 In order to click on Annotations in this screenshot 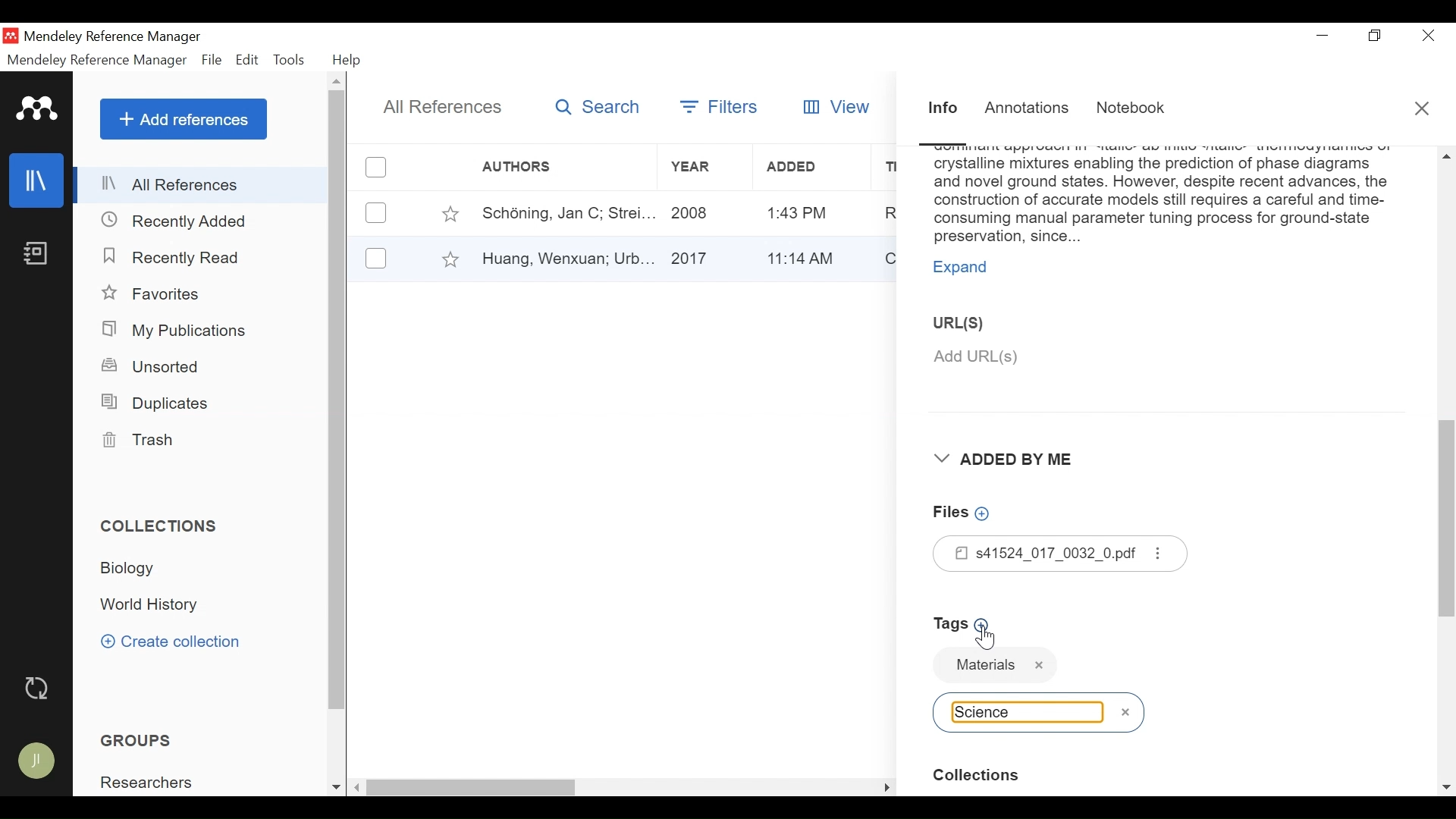, I will do `click(1028, 110)`.